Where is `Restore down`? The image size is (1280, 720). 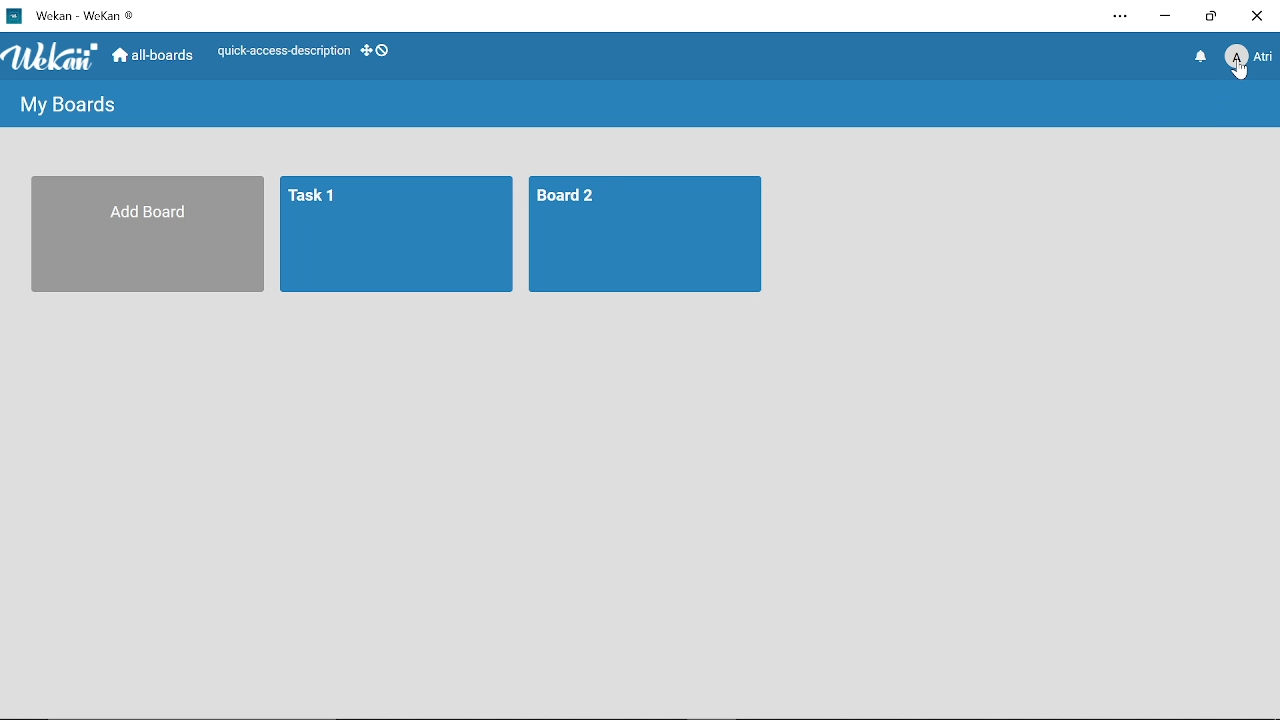
Restore down is located at coordinates (1210, 18).